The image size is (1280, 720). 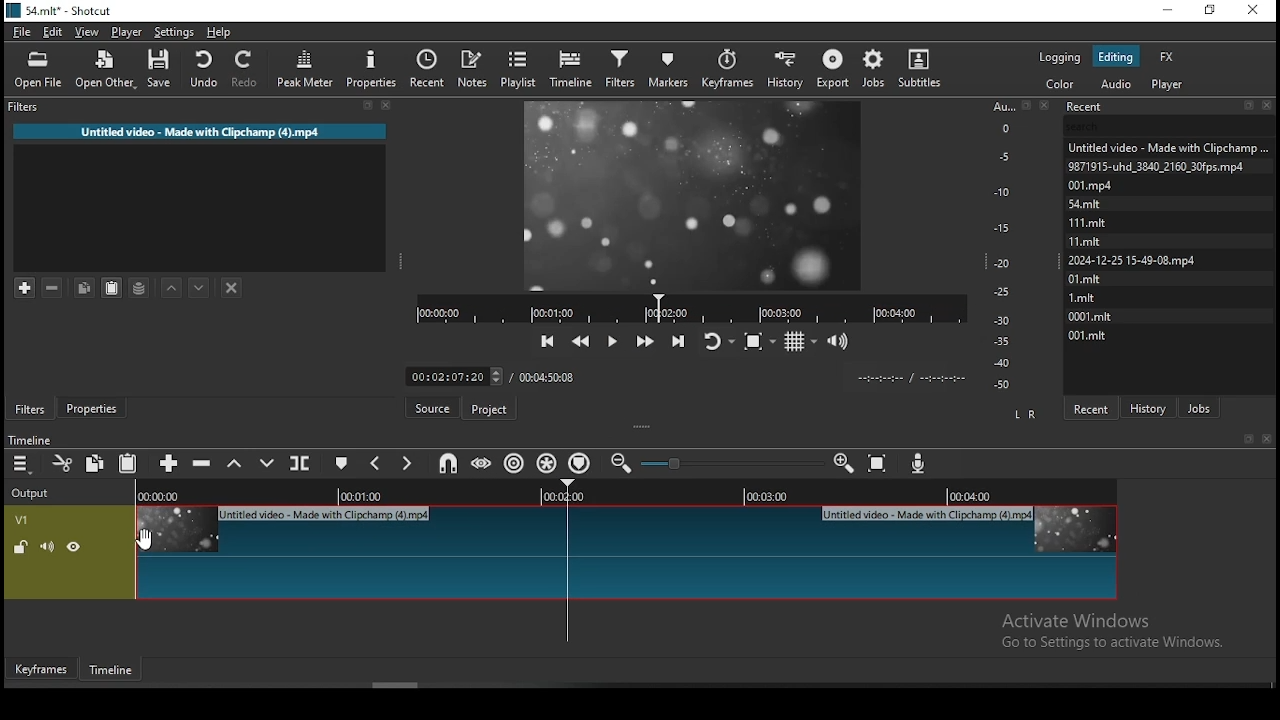 I want to click on markers, so click(x=668, y=68).